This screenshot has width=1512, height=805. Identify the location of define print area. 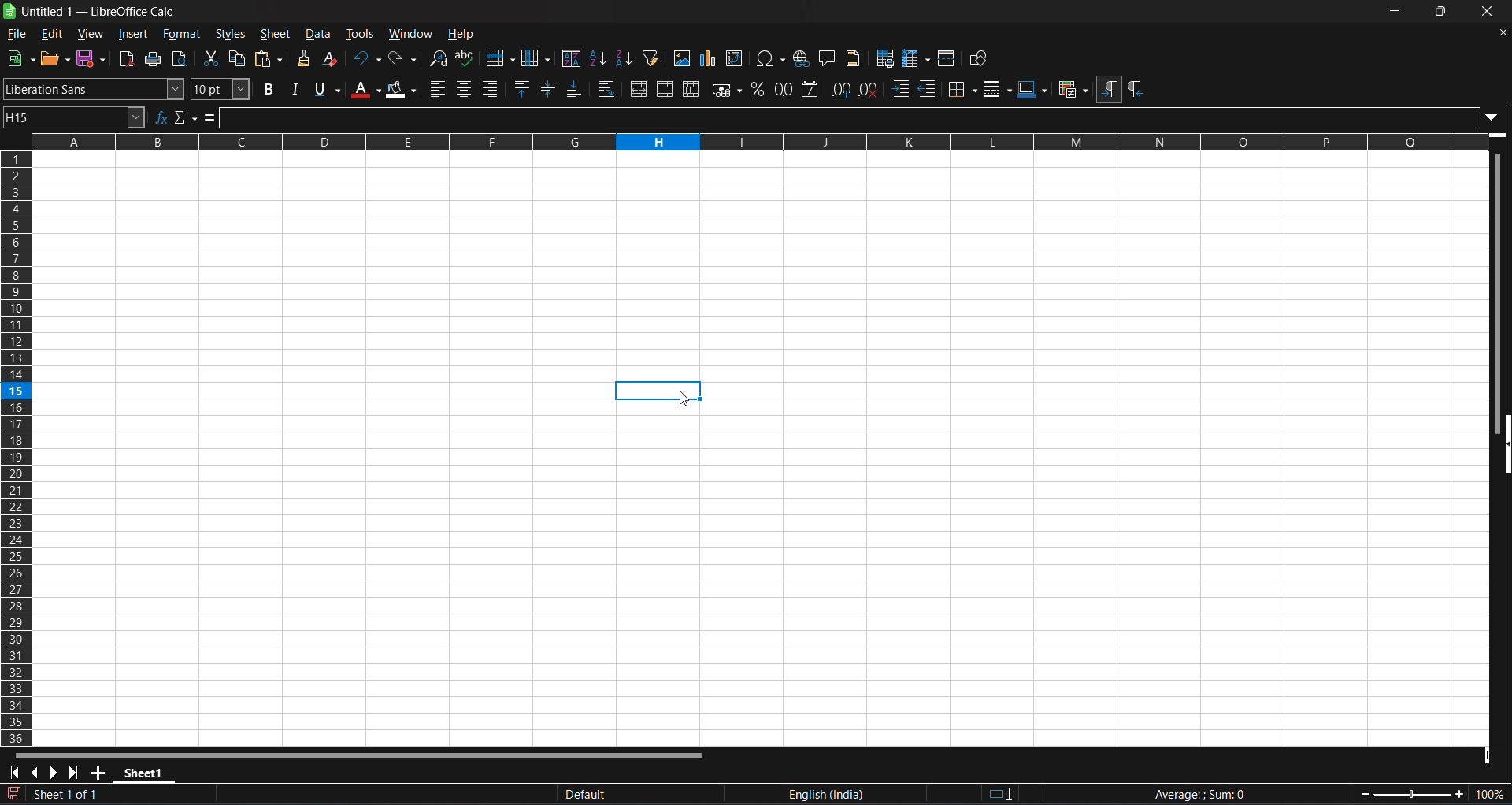
(886, 58).